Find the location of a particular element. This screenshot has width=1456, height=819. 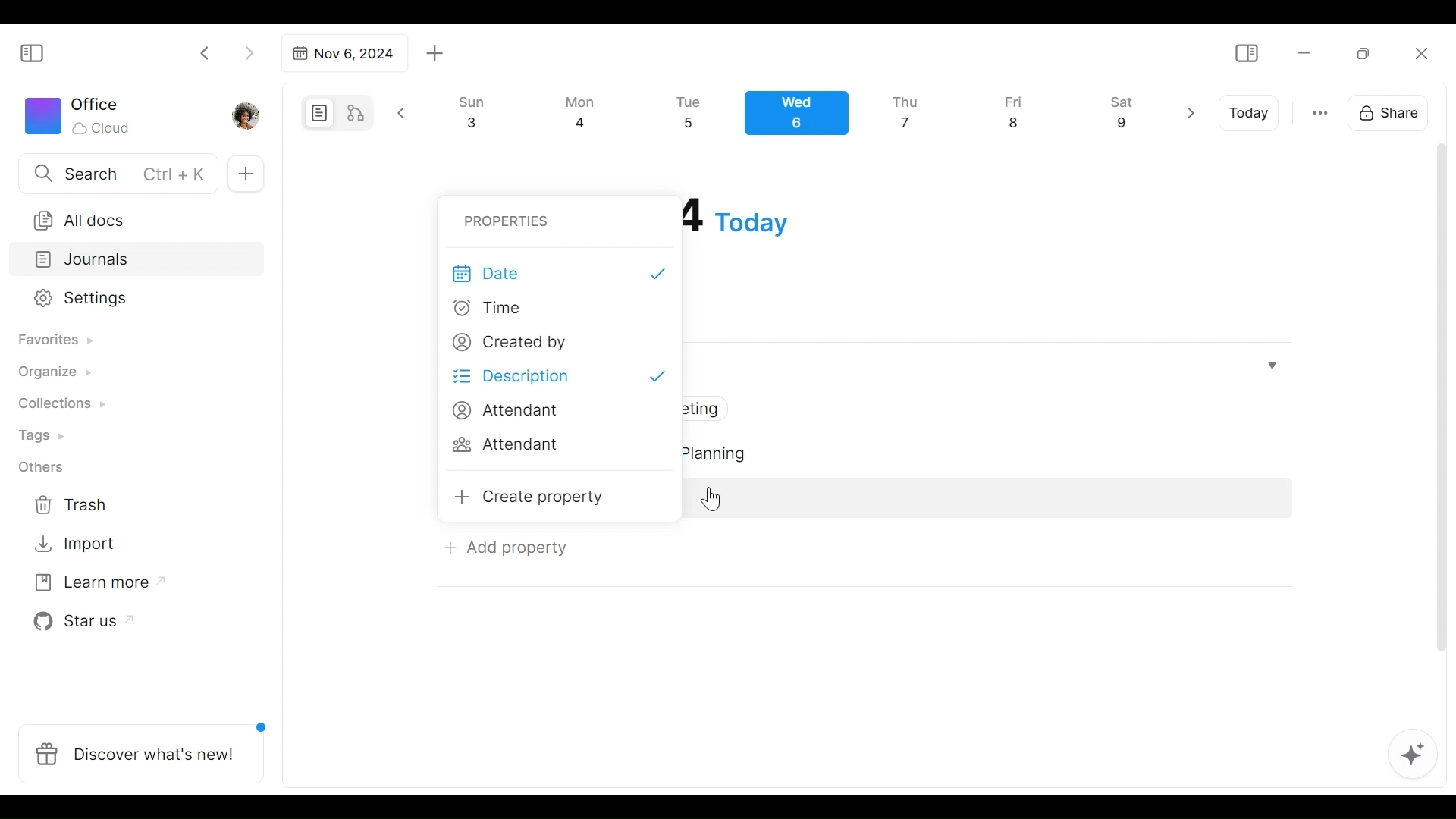

Add Property is located at coordinates (506, 545).